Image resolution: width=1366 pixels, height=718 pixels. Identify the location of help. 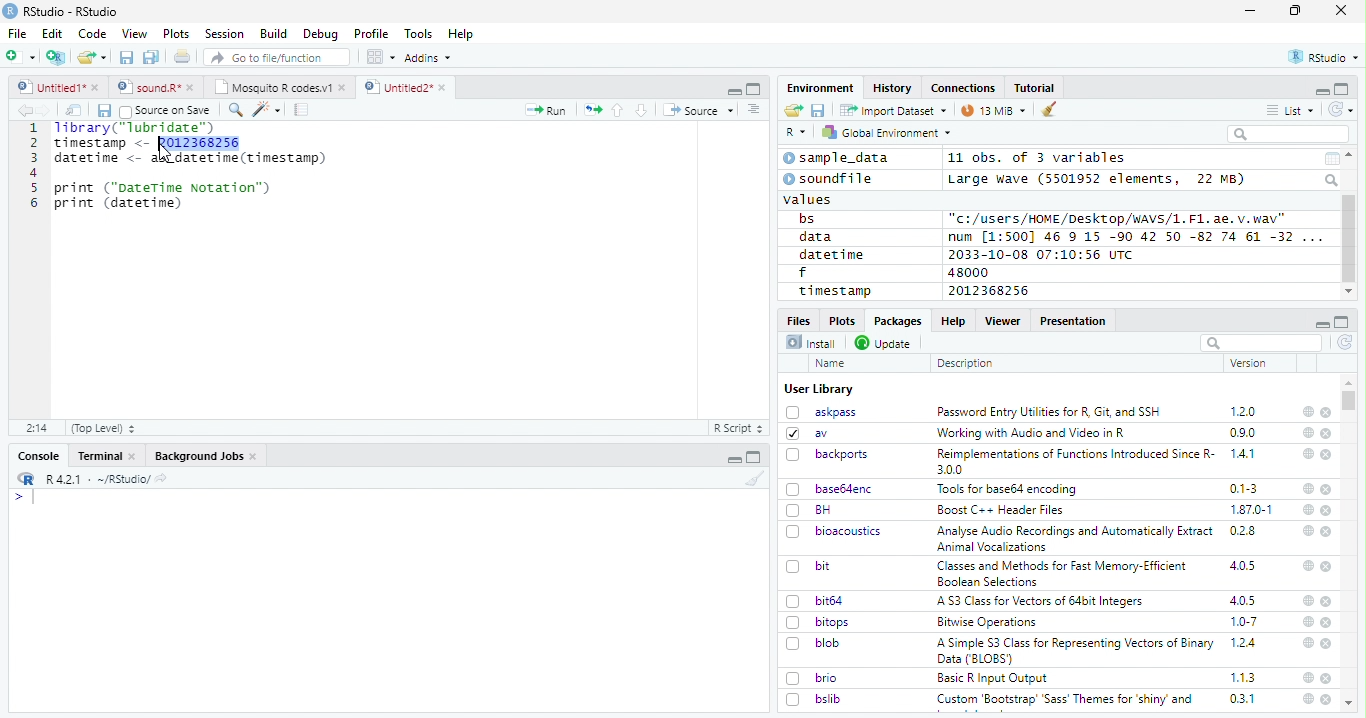
(1306, 642).